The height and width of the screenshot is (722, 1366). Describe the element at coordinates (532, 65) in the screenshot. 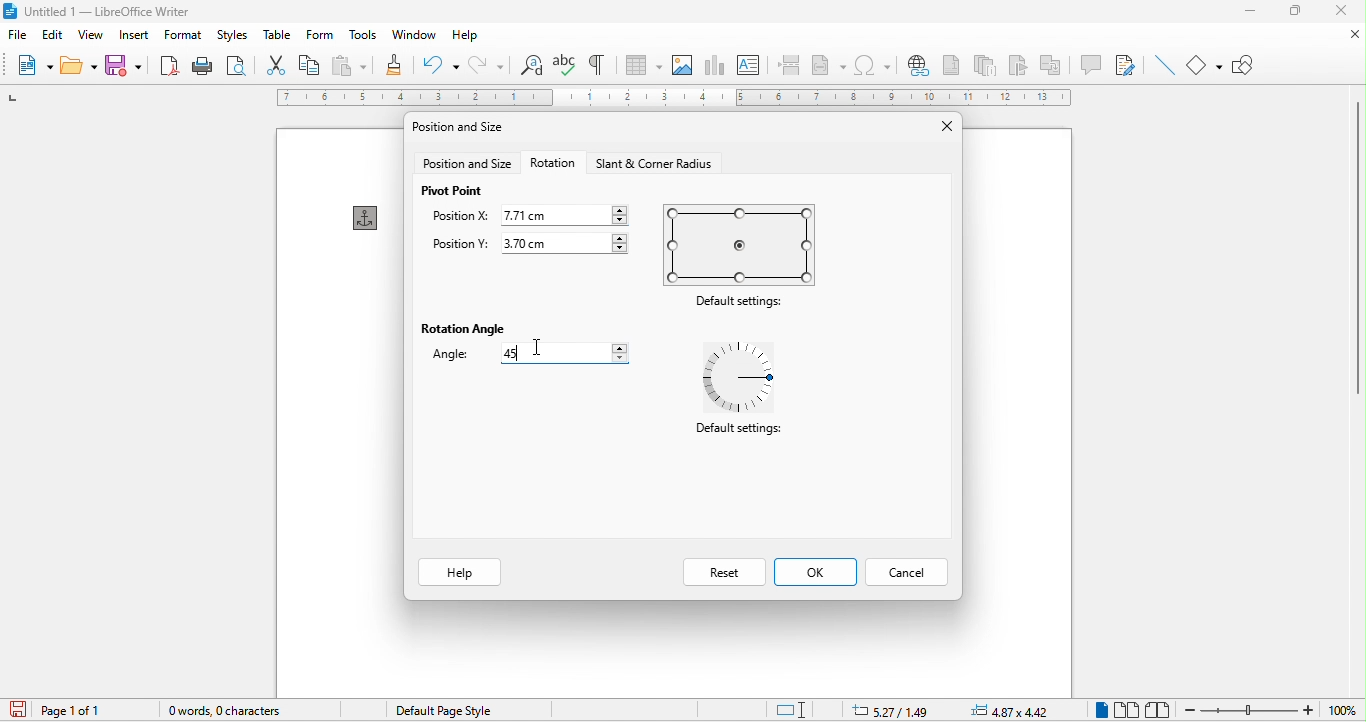

I see `find and replace` at that location.